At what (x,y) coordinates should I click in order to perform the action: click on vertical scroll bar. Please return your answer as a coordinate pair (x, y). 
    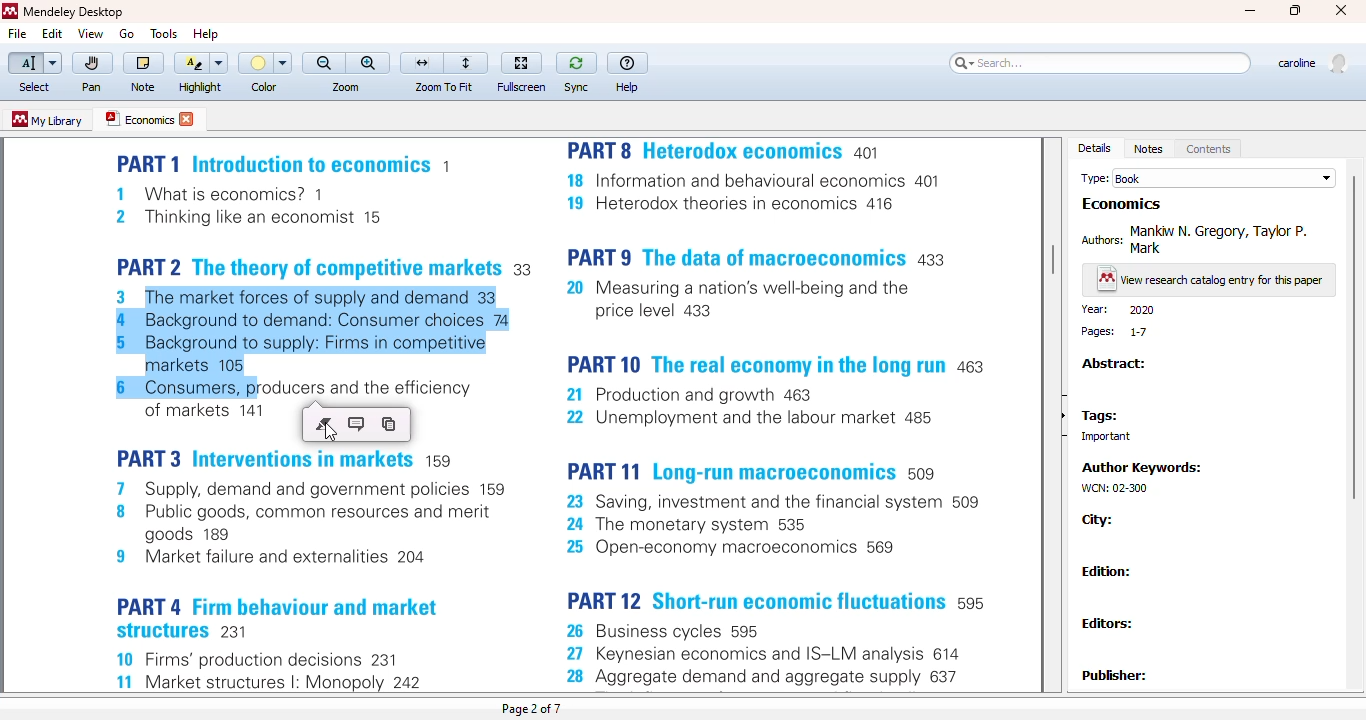
    Looking at the image, I should click on (1053, 261).